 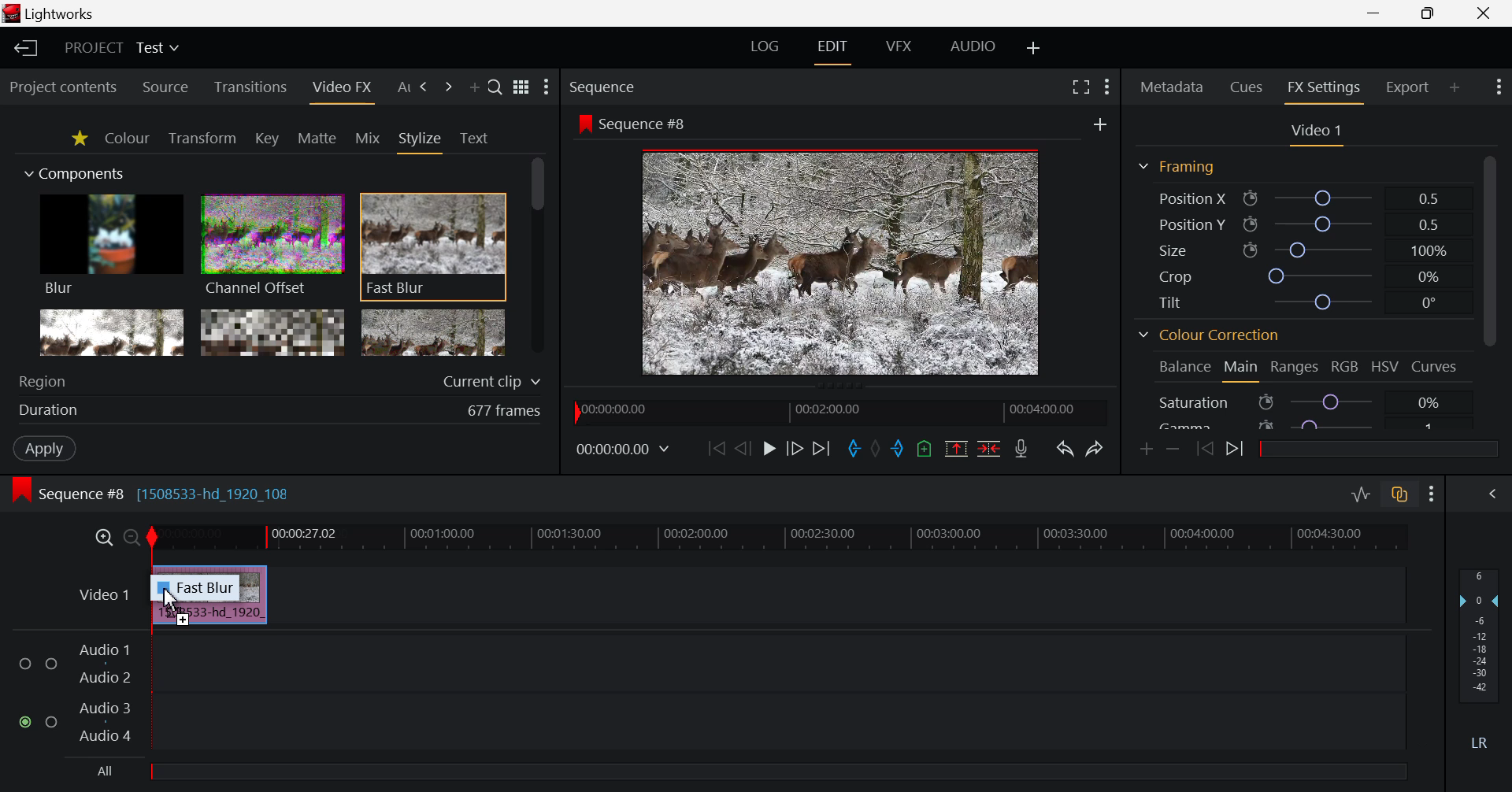 What do you see at coordinates (1294, 367) in the screenshot?
I see `Ranges` at bounding box center [1294, 367].